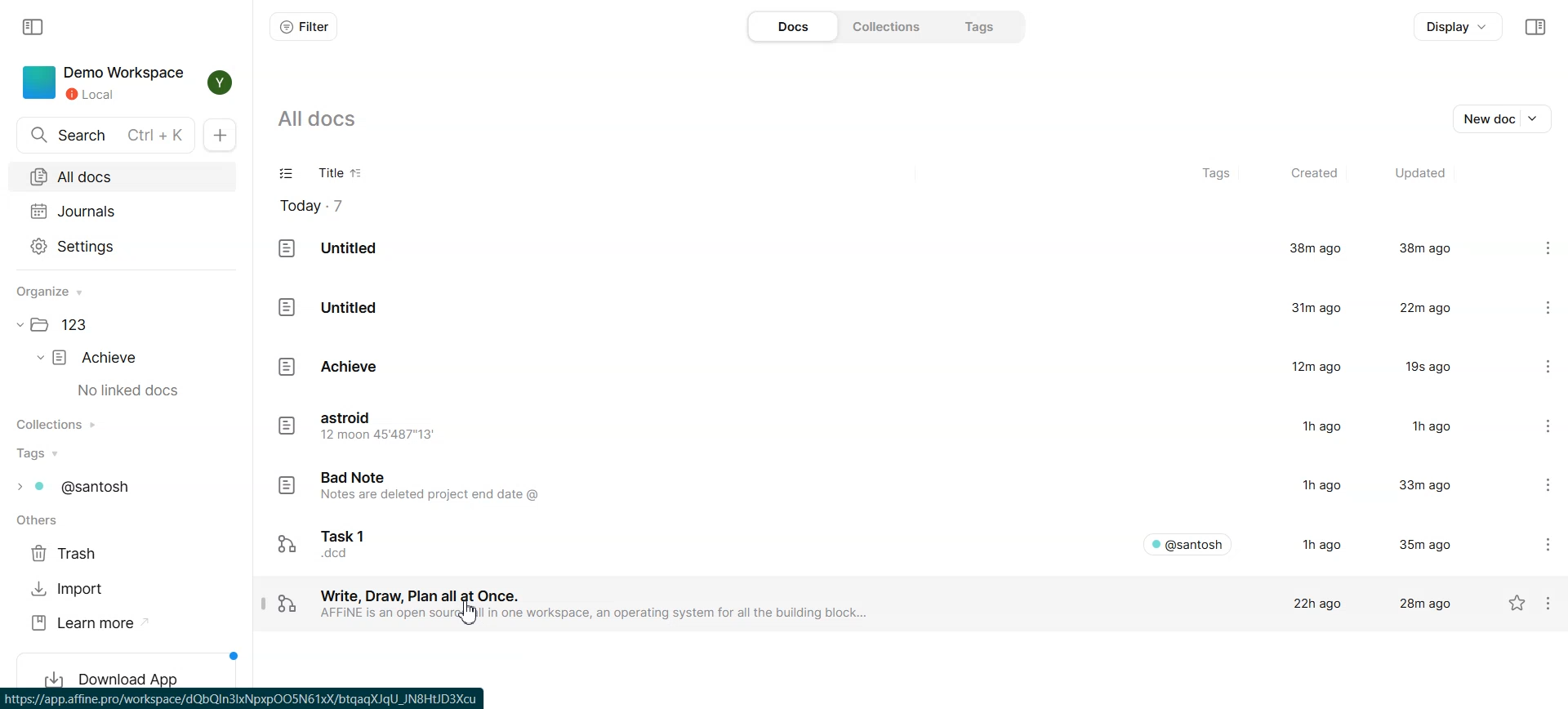 The width and height of the screenshot is (1568, 709). I want to click on Doc File, so click(879, 305).